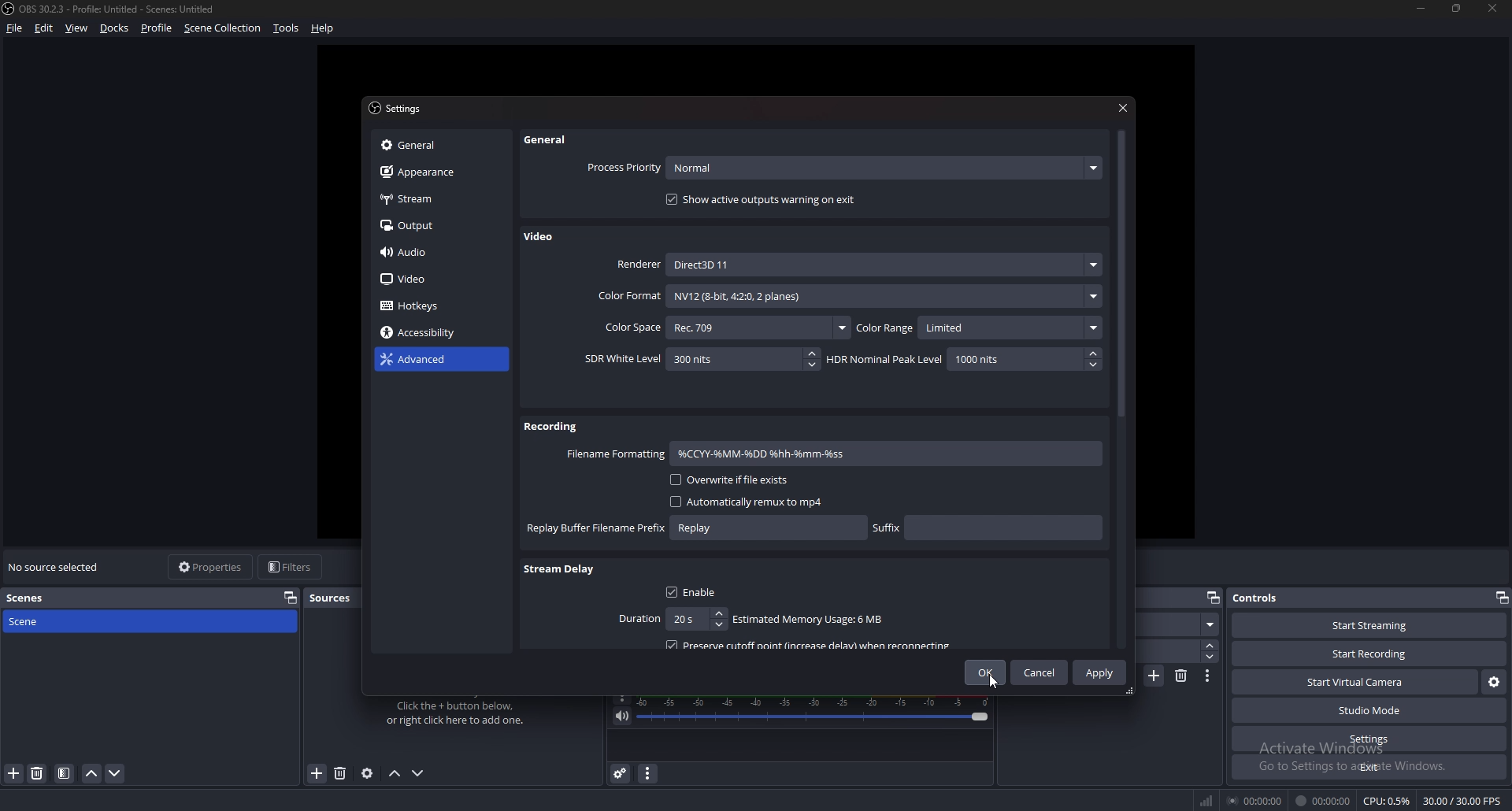 The image size is (1512, 811). Describe the element at coordinates (1263, 597) in the screenshot. I see `controls` at that location.